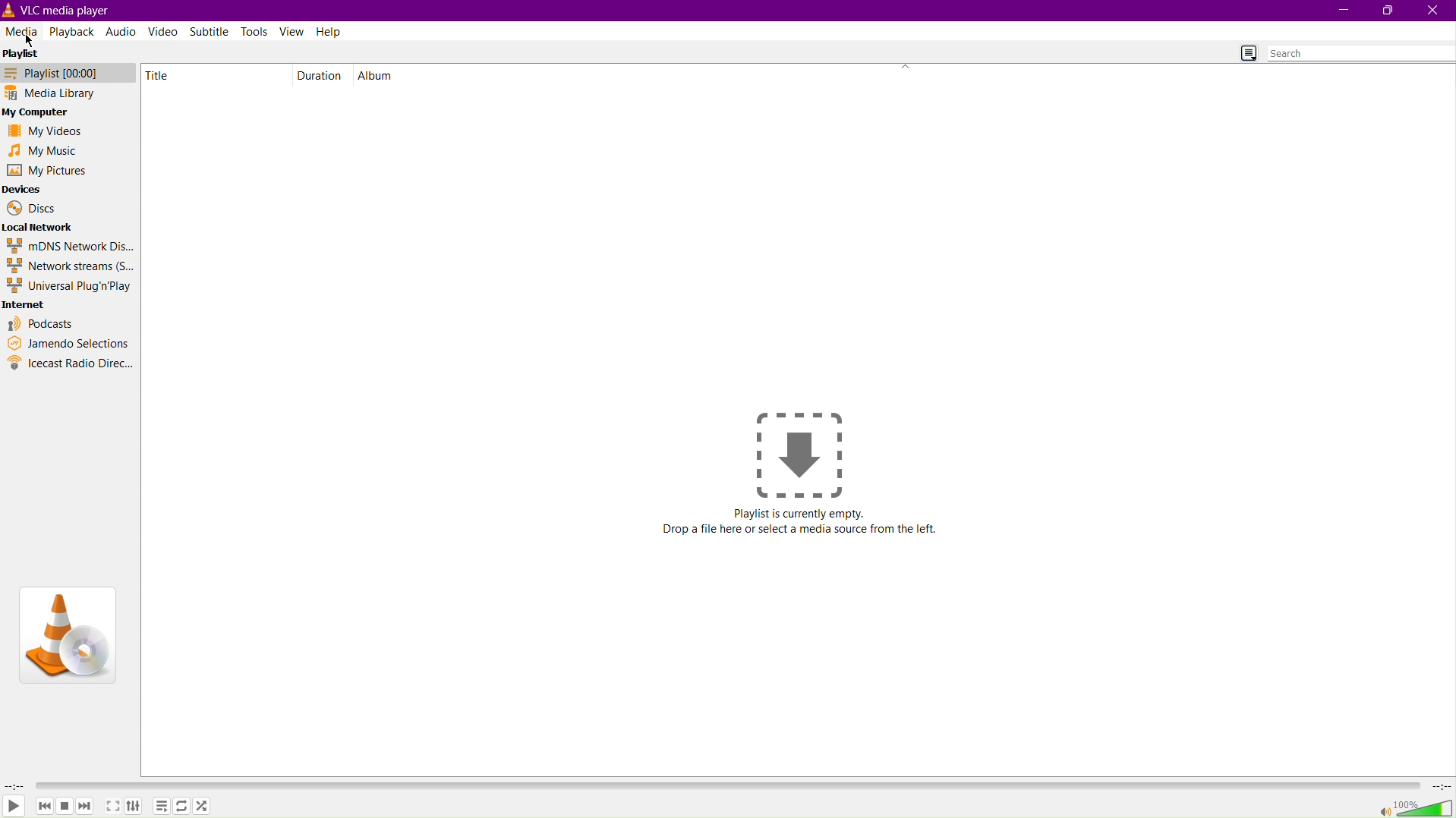 The width and height of the screenshot is (1456, 818). What do you see at coordinates (1246, 52) in the screenshot?
I see `Change playlist view` at bounding box center [1246, 52].